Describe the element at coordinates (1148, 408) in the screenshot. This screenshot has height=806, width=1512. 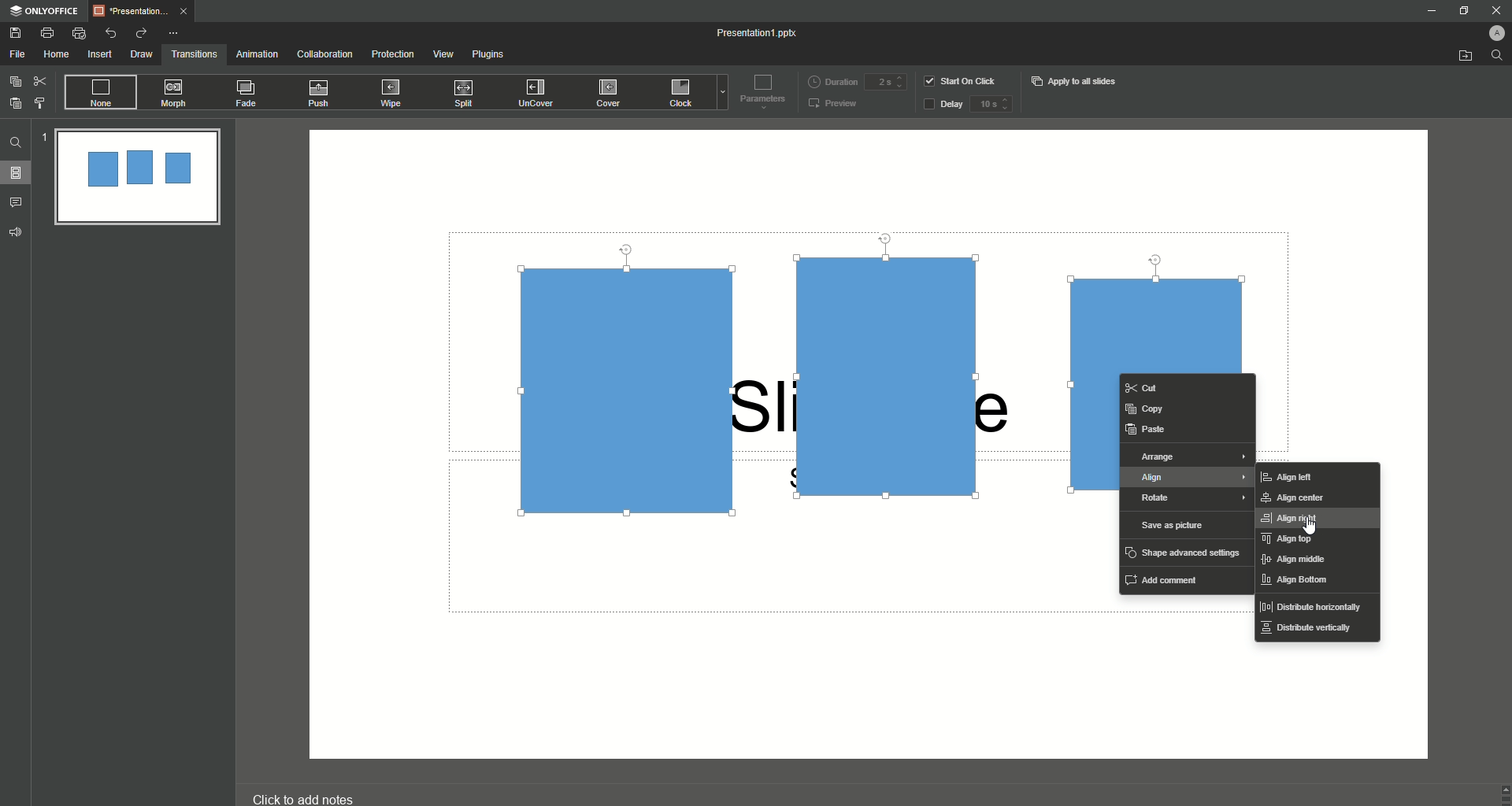
I see `Copy` at that location.